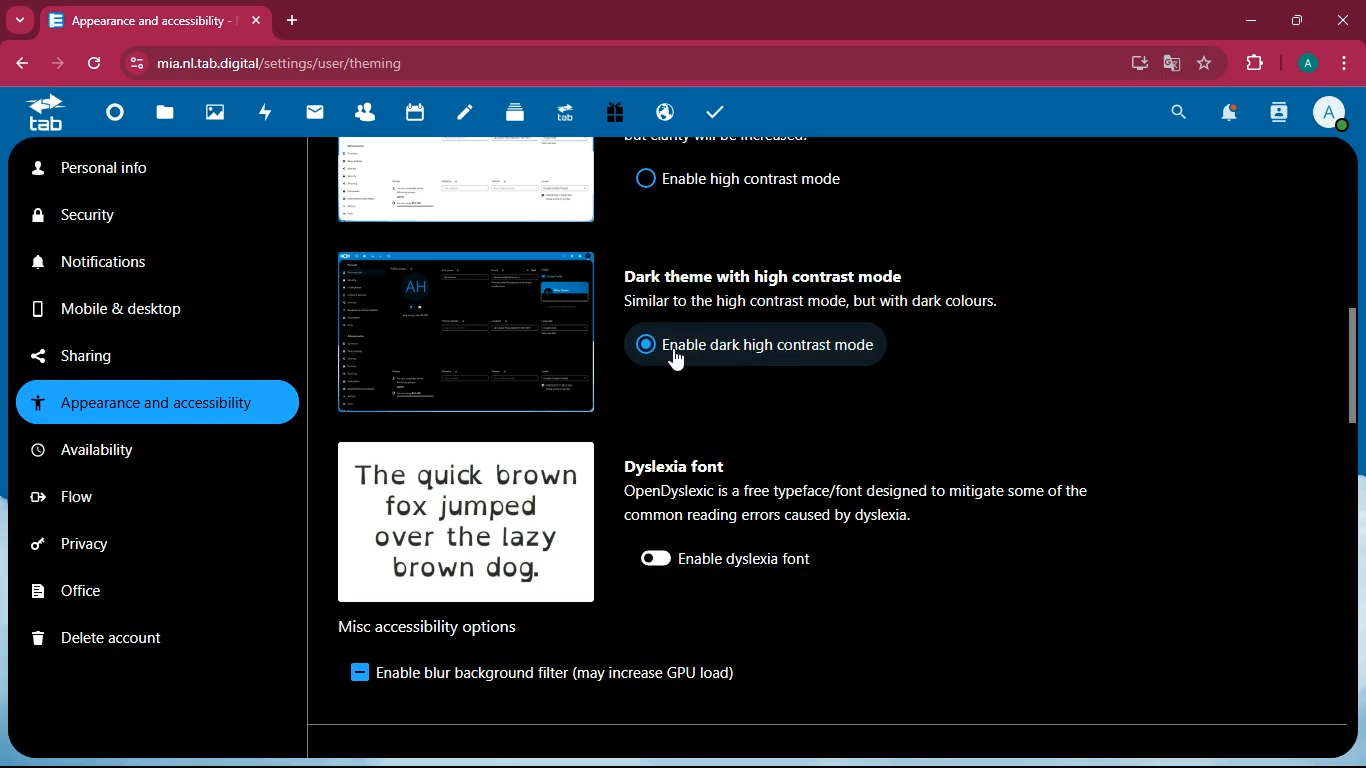 This screenshot has width=1366, height=768. What do you see at coordinates (120, 117) in the screenshot?
I see `home` at bounding box center [120, 117].